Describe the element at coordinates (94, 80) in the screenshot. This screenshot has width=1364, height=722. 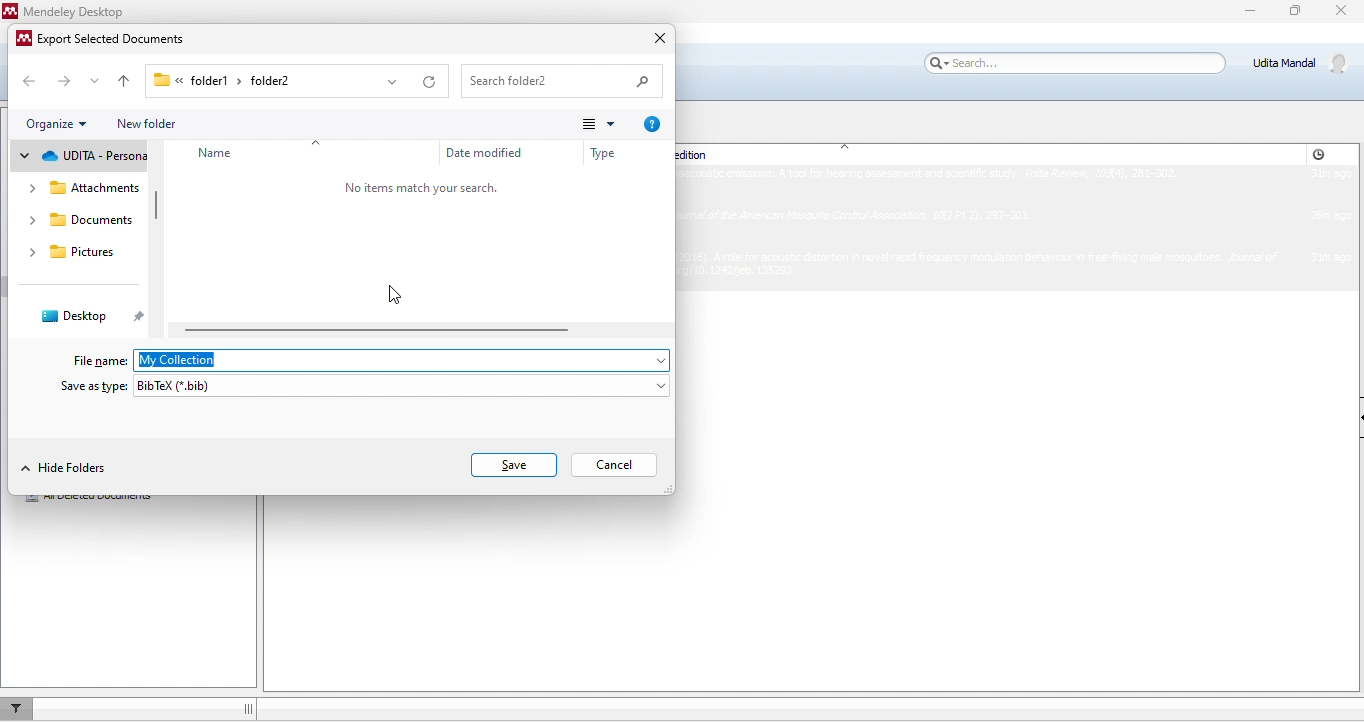
I see `drop down` at that location.